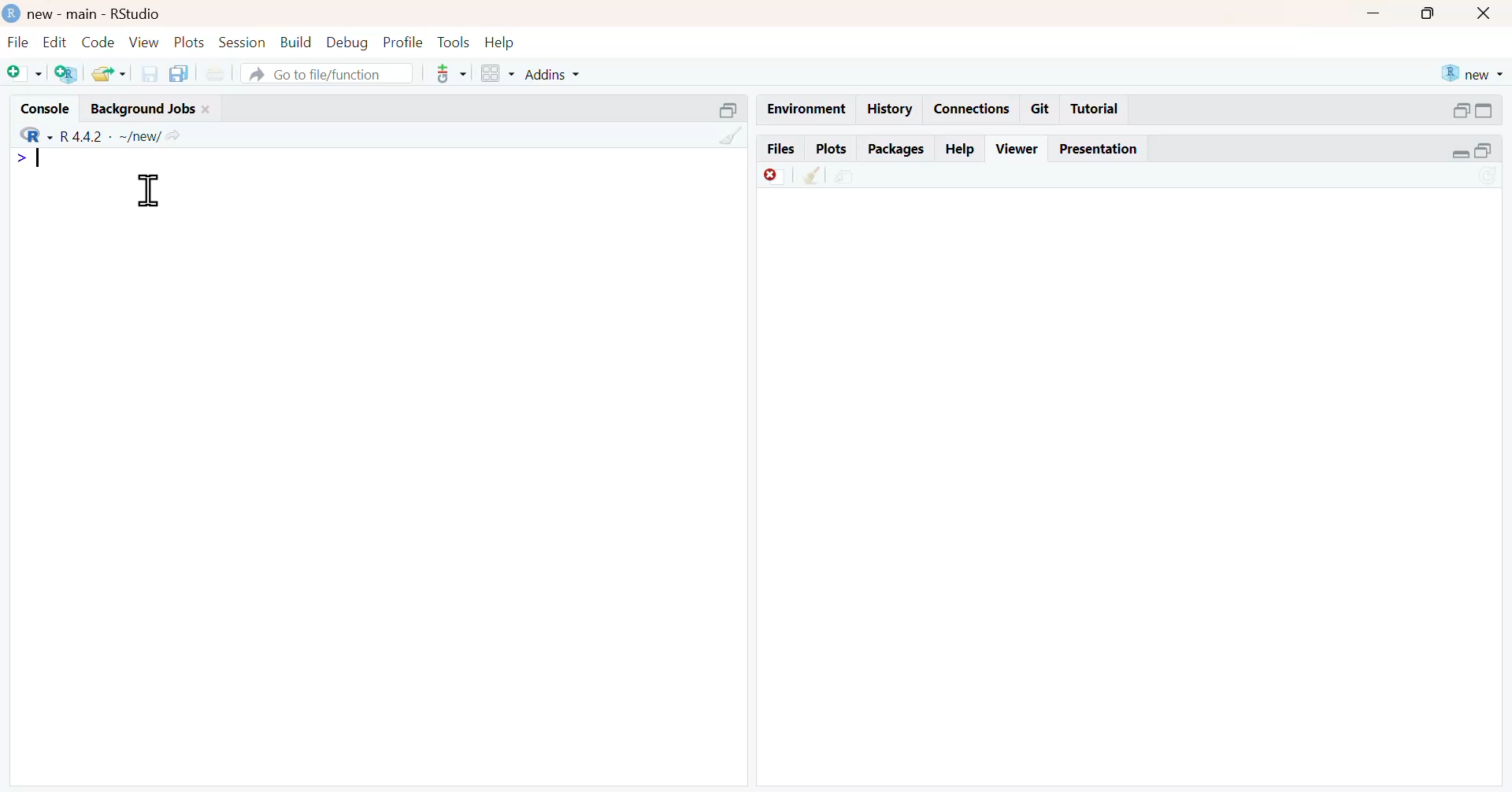 This screenshot has width=1512, height=792. I want to click on minimize, so click(1374, 11).